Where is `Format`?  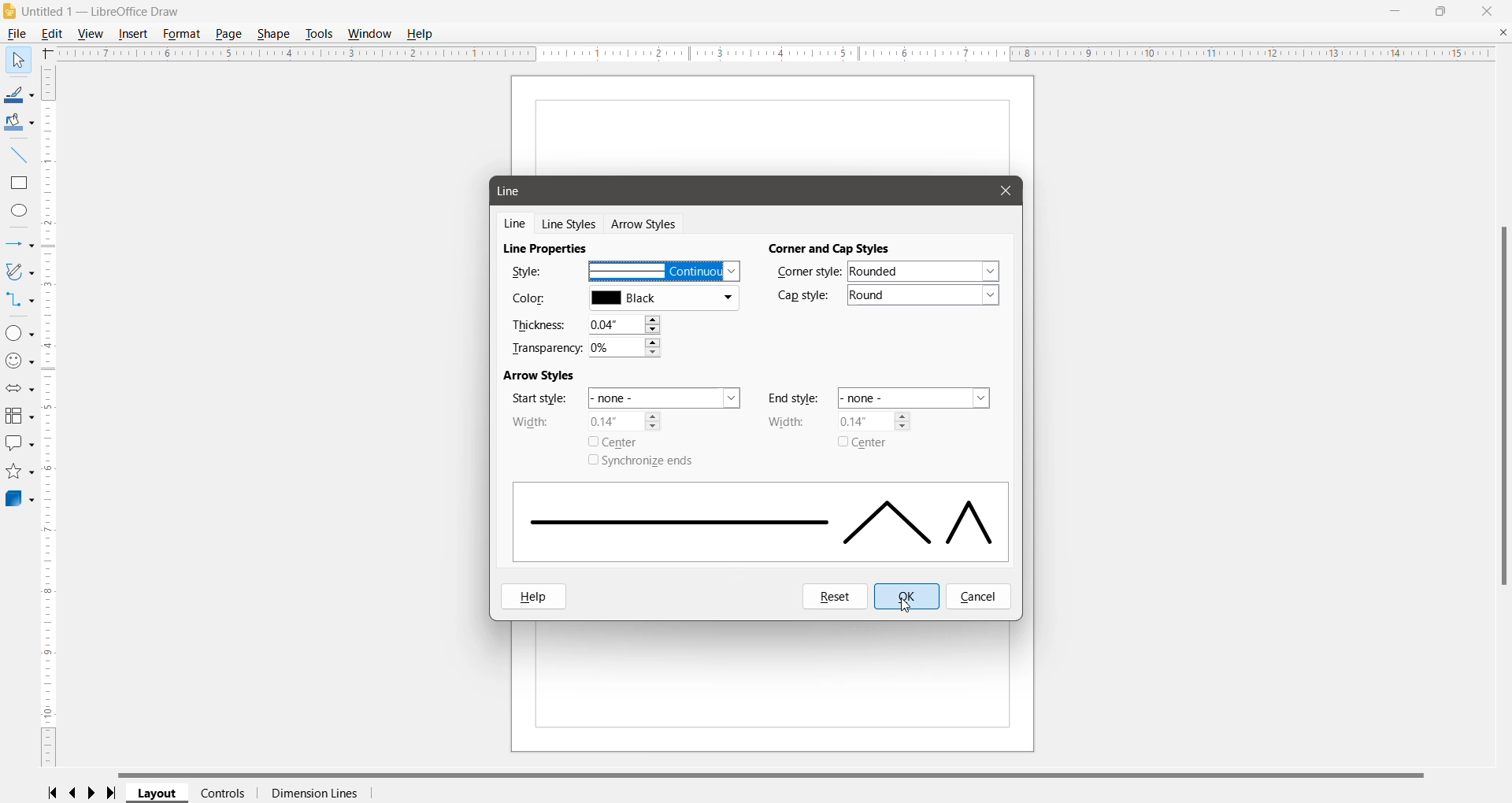
Format is located at coordinates (181, 34).